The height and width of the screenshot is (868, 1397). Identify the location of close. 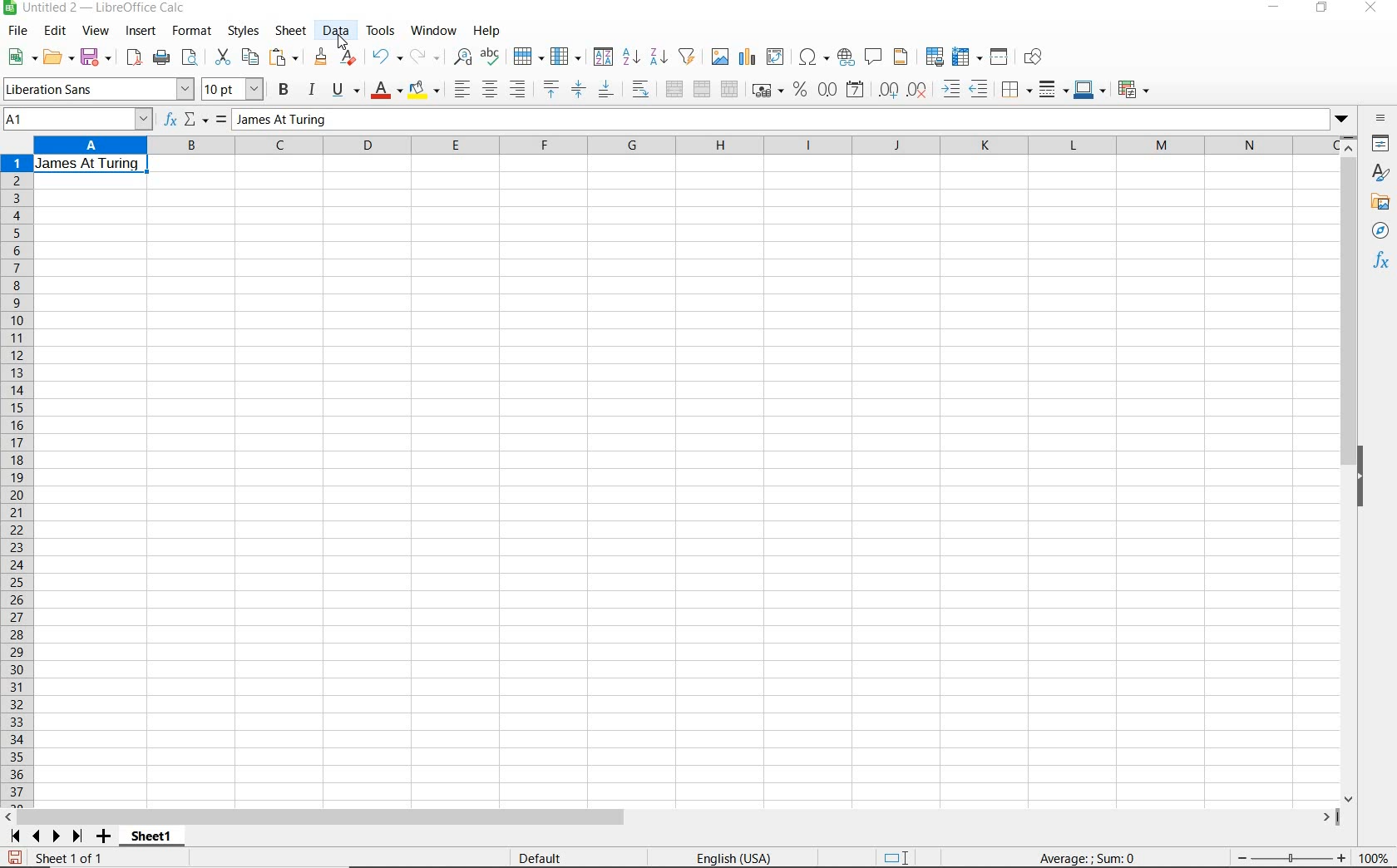
(1374, 8).